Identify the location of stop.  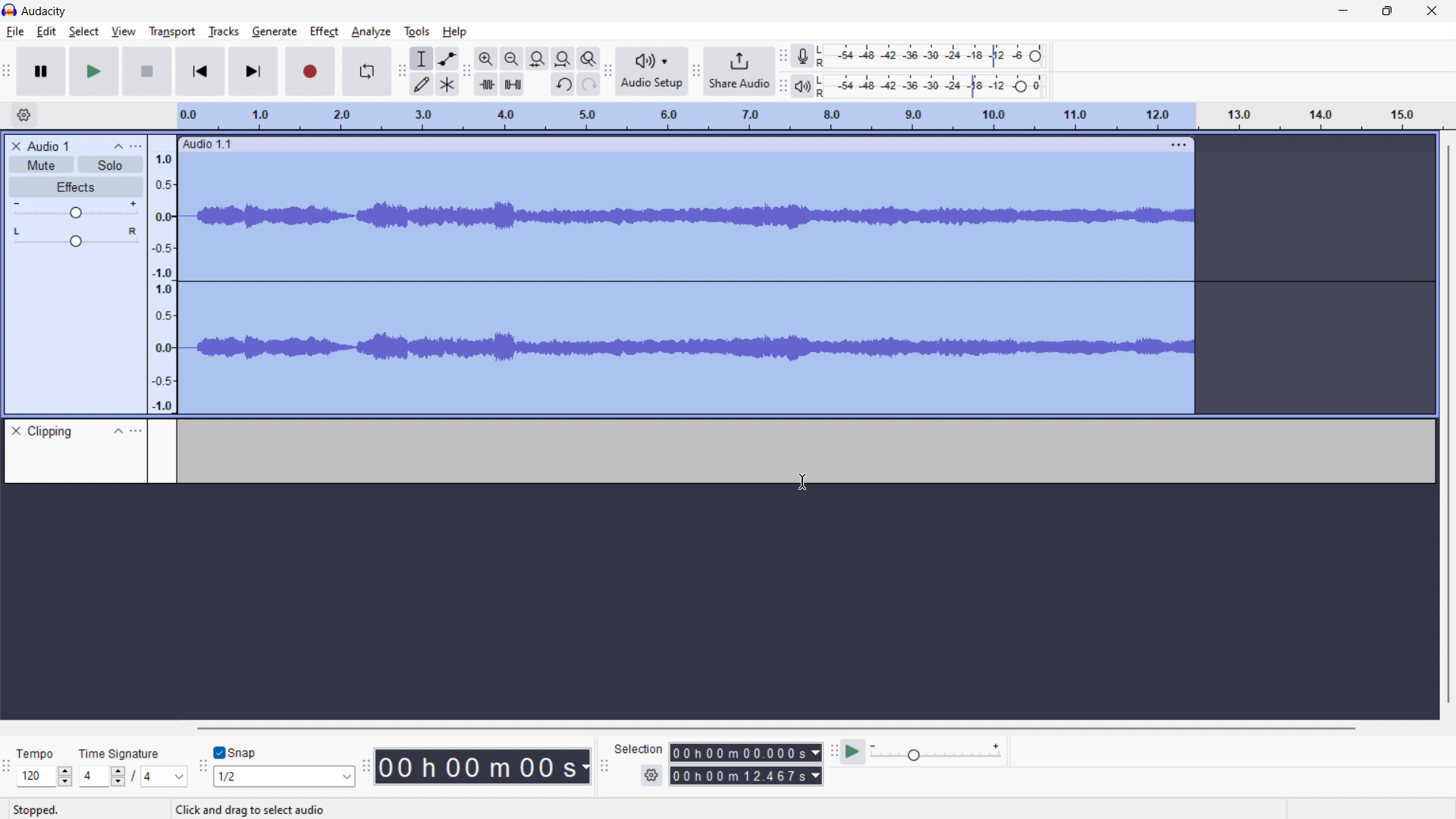
(147, 71).